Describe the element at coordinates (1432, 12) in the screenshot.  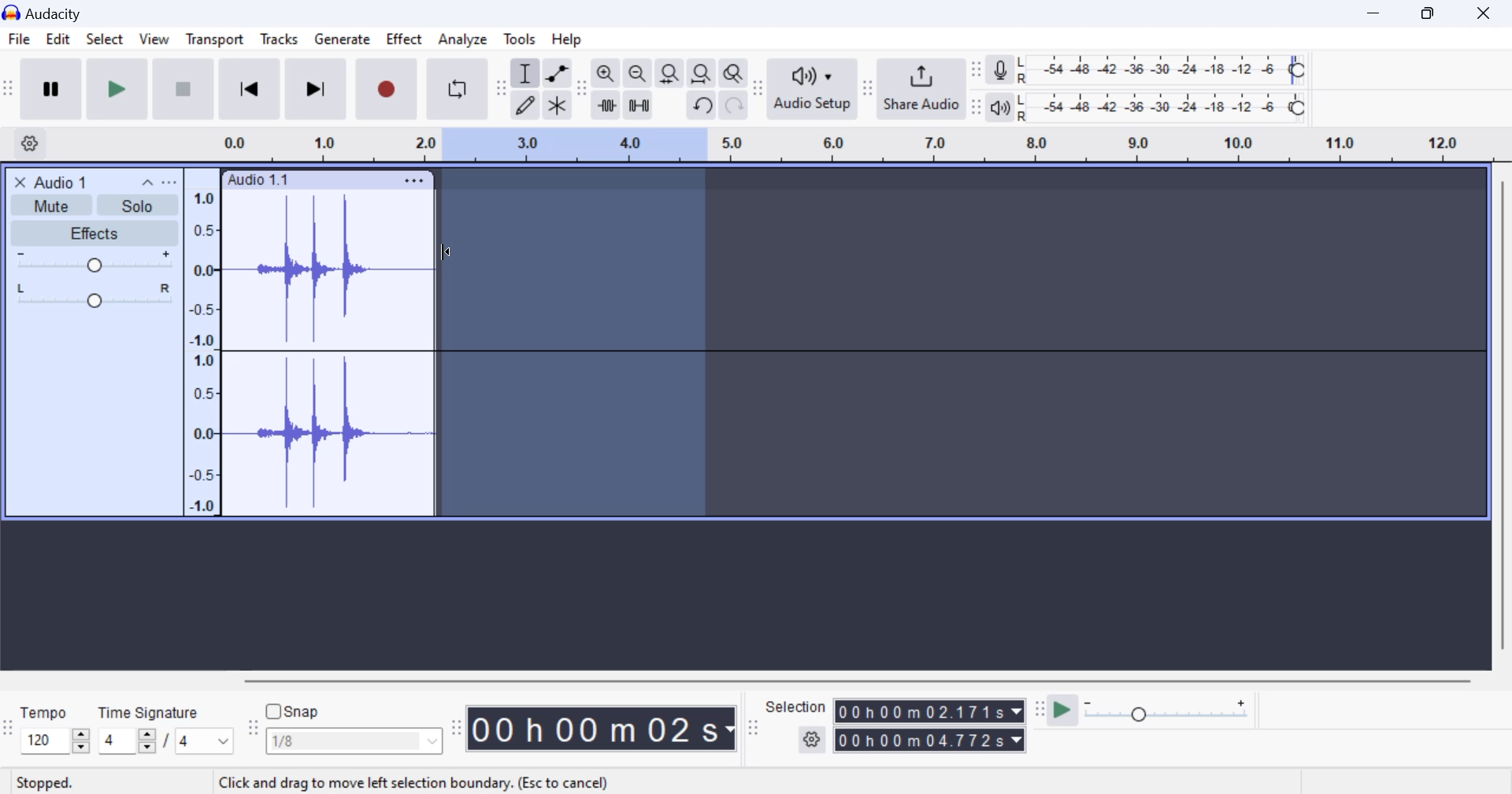
I see `Minimize` at that location.